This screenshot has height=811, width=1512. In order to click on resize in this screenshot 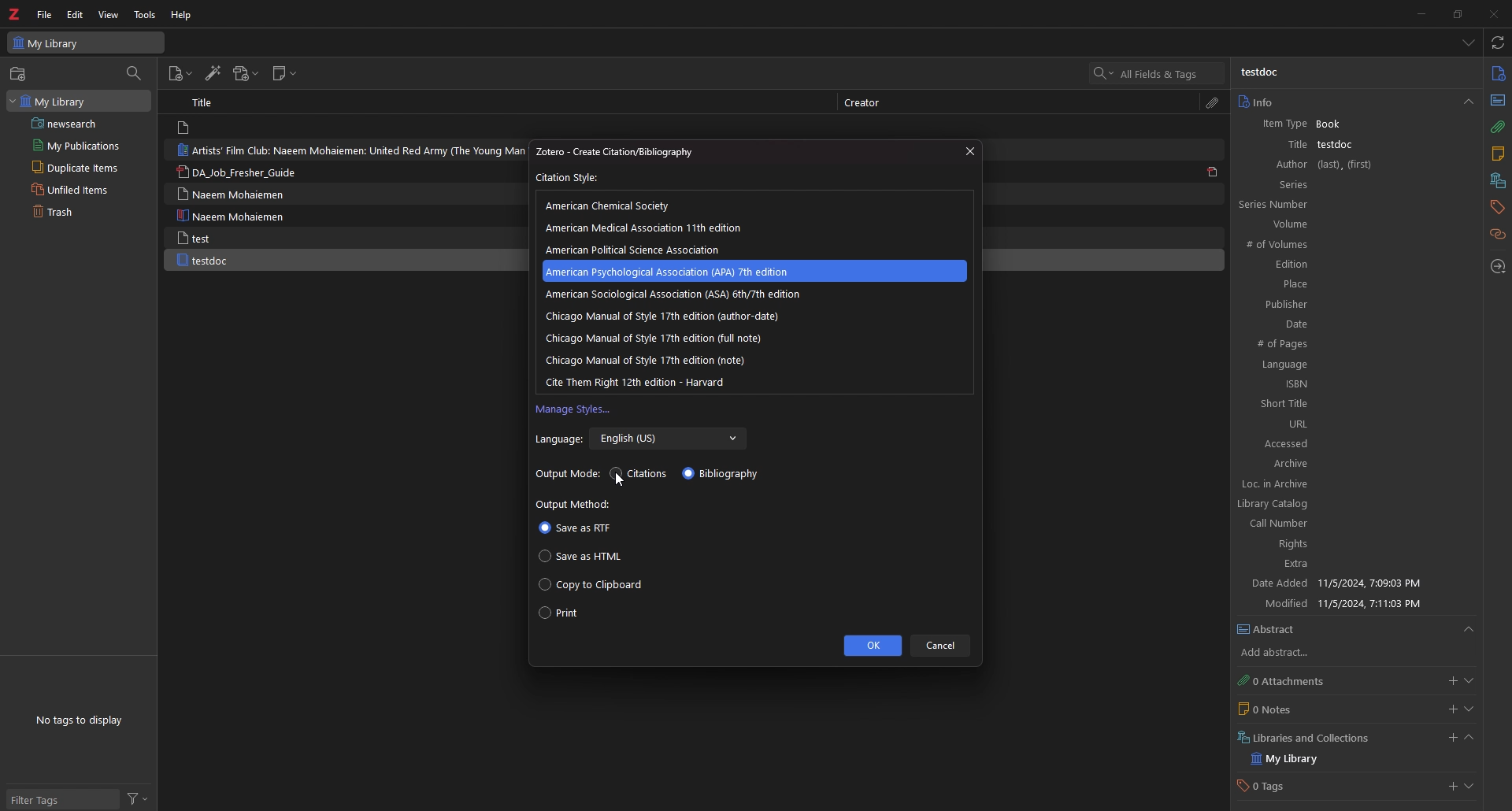, I will do `click(1457, 13)`.